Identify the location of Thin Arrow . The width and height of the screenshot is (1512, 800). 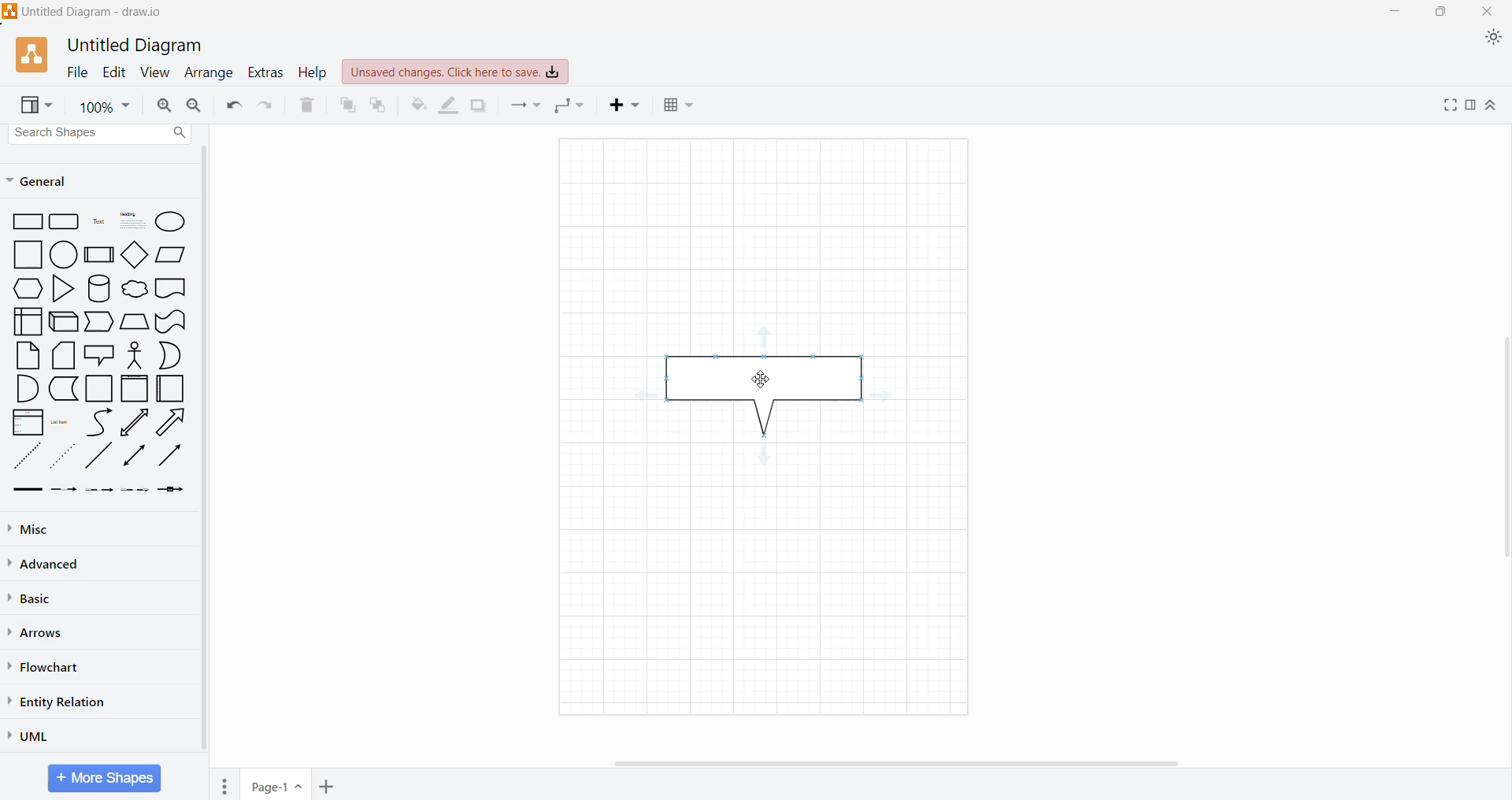
(100, 491).